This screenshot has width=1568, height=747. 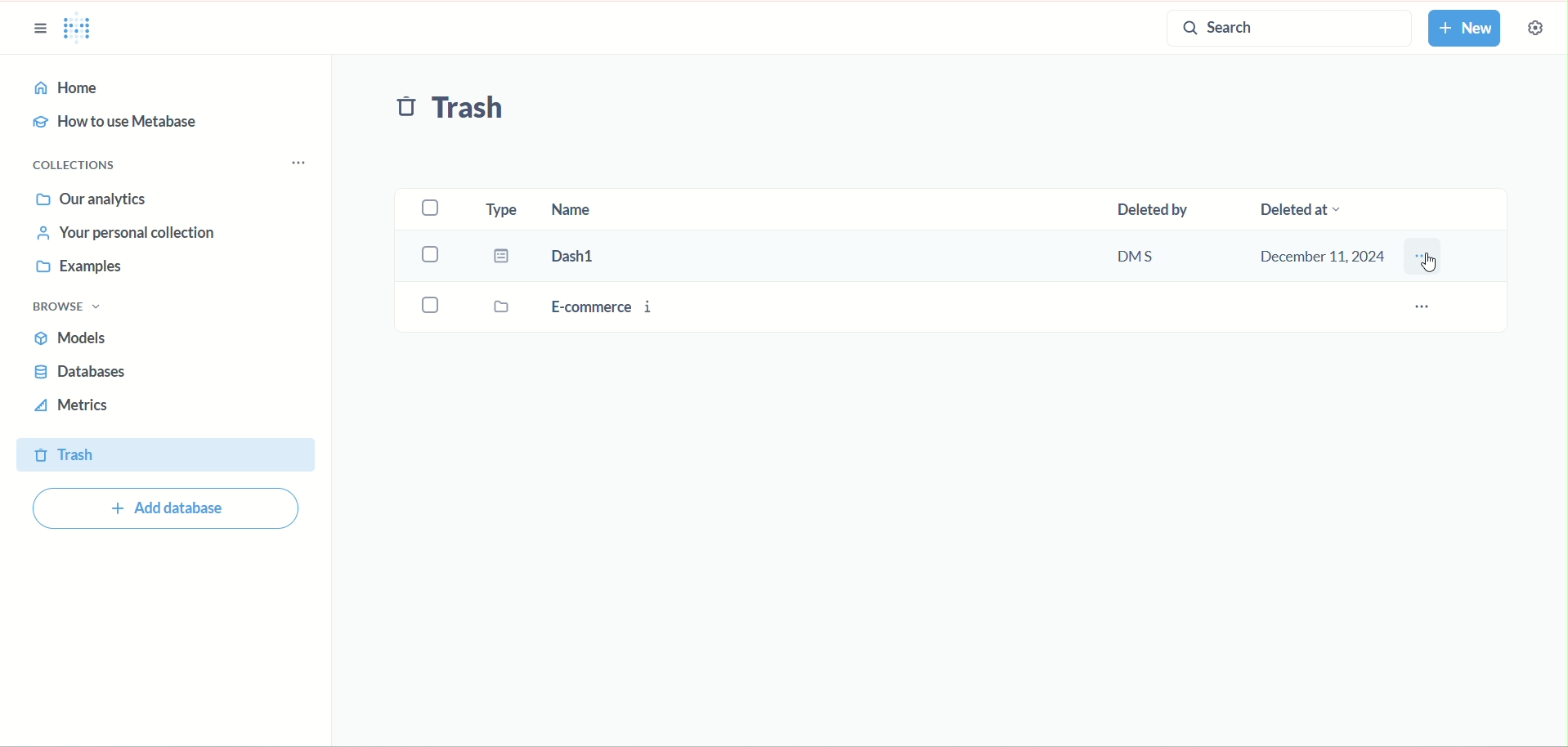 What do you see at coordinates (40, 30) in the screenshot?
I see `sidebar` at bounding box center [40, 30].